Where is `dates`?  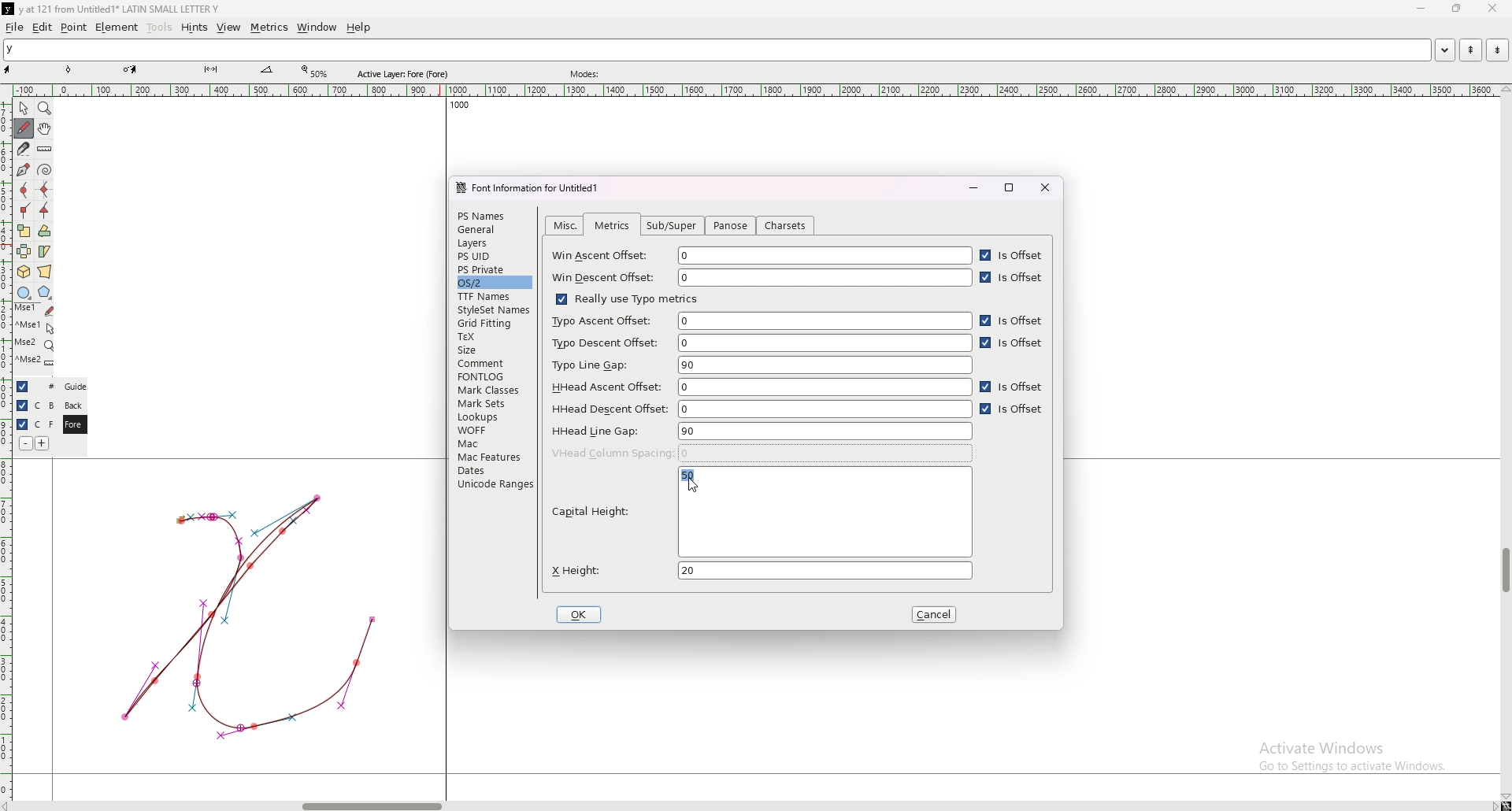 dates is located at coordinates (494, 470).